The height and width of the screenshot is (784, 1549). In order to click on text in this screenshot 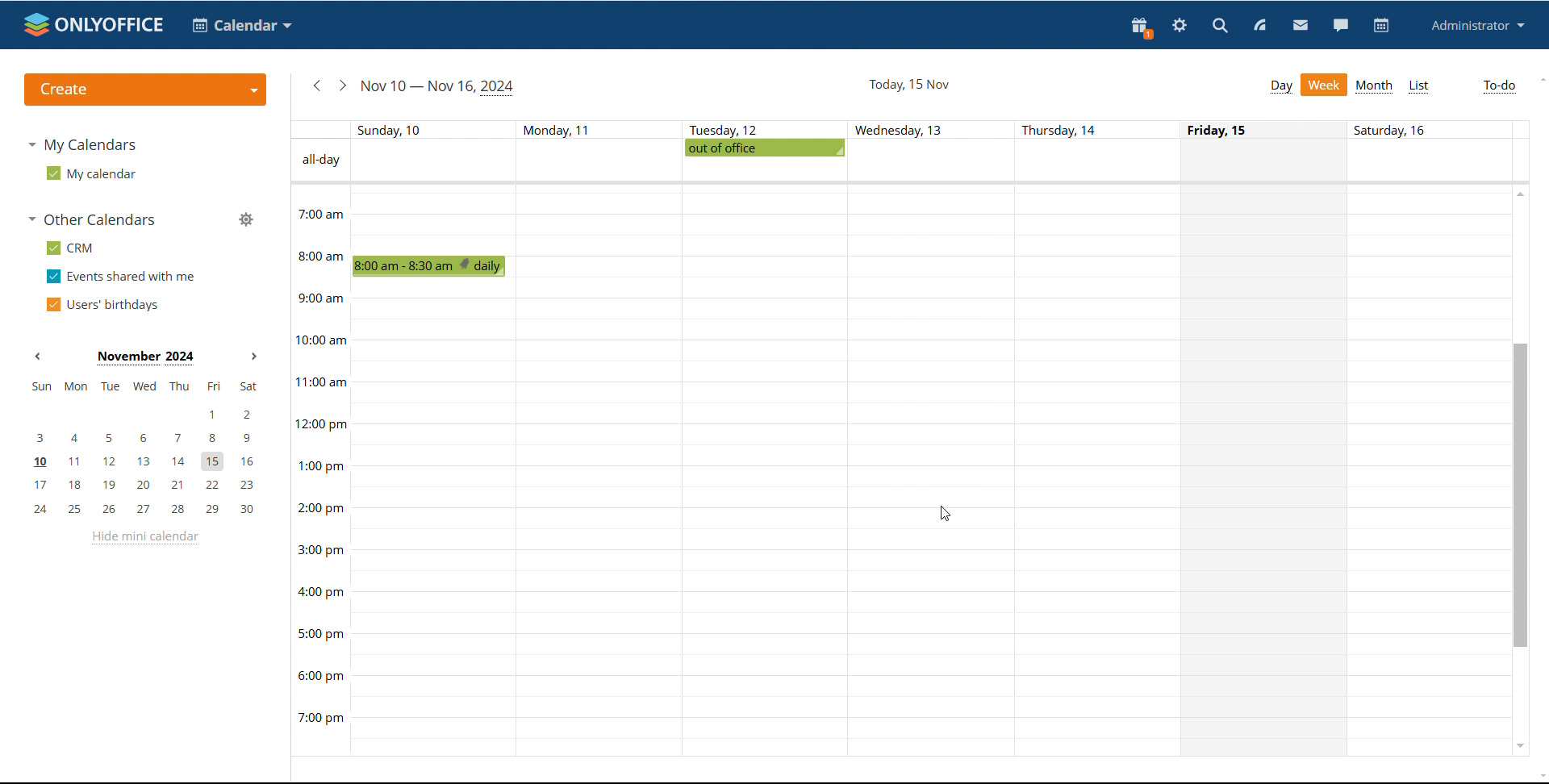, I will do `click(320, 161)`.